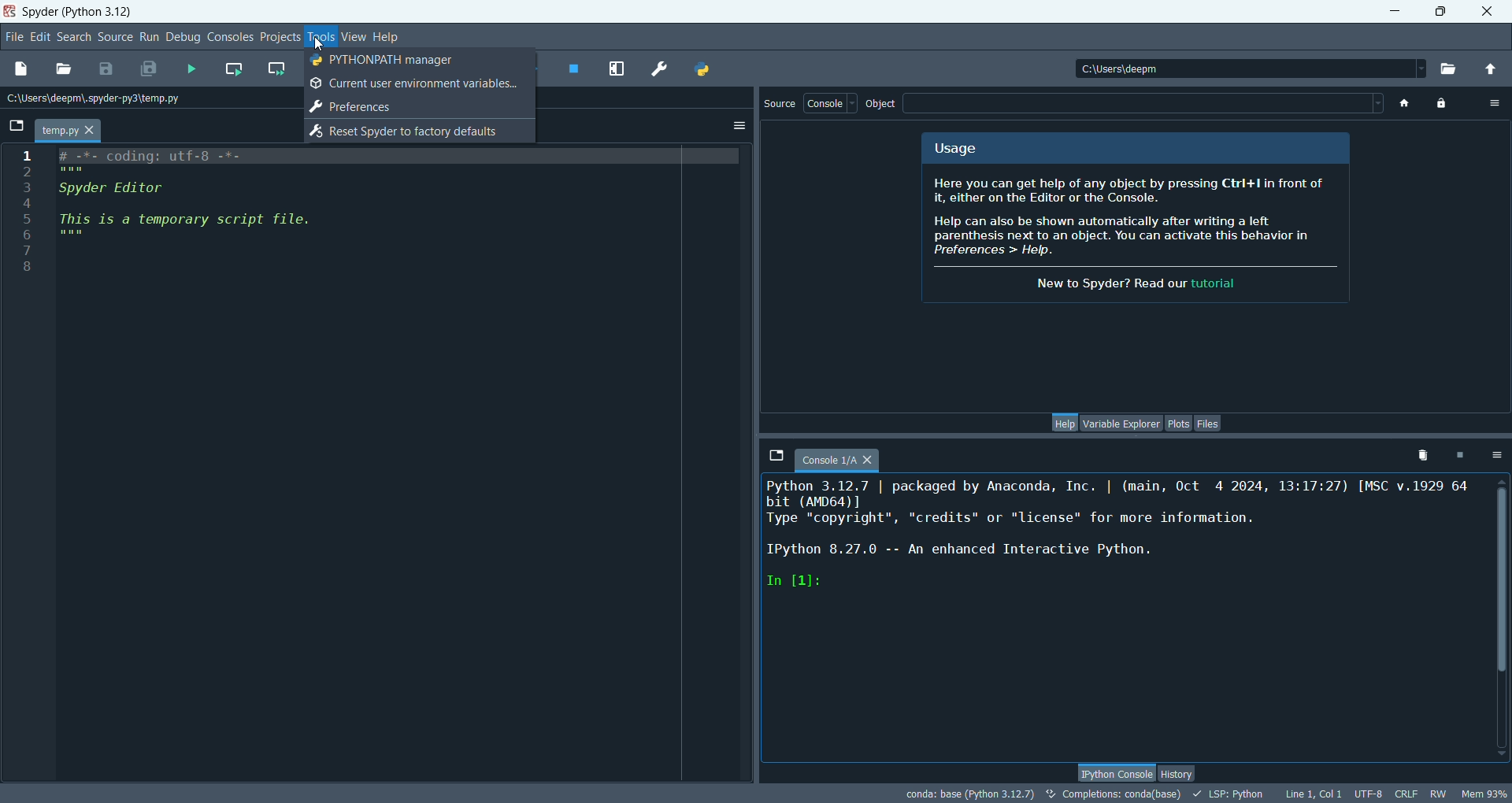 This screenshot has width=1512, height=803. What do you see at coordinates (1501, 618) in the screenshot?
I see `vertical scroll bar` at bounding box center [1501, 618].